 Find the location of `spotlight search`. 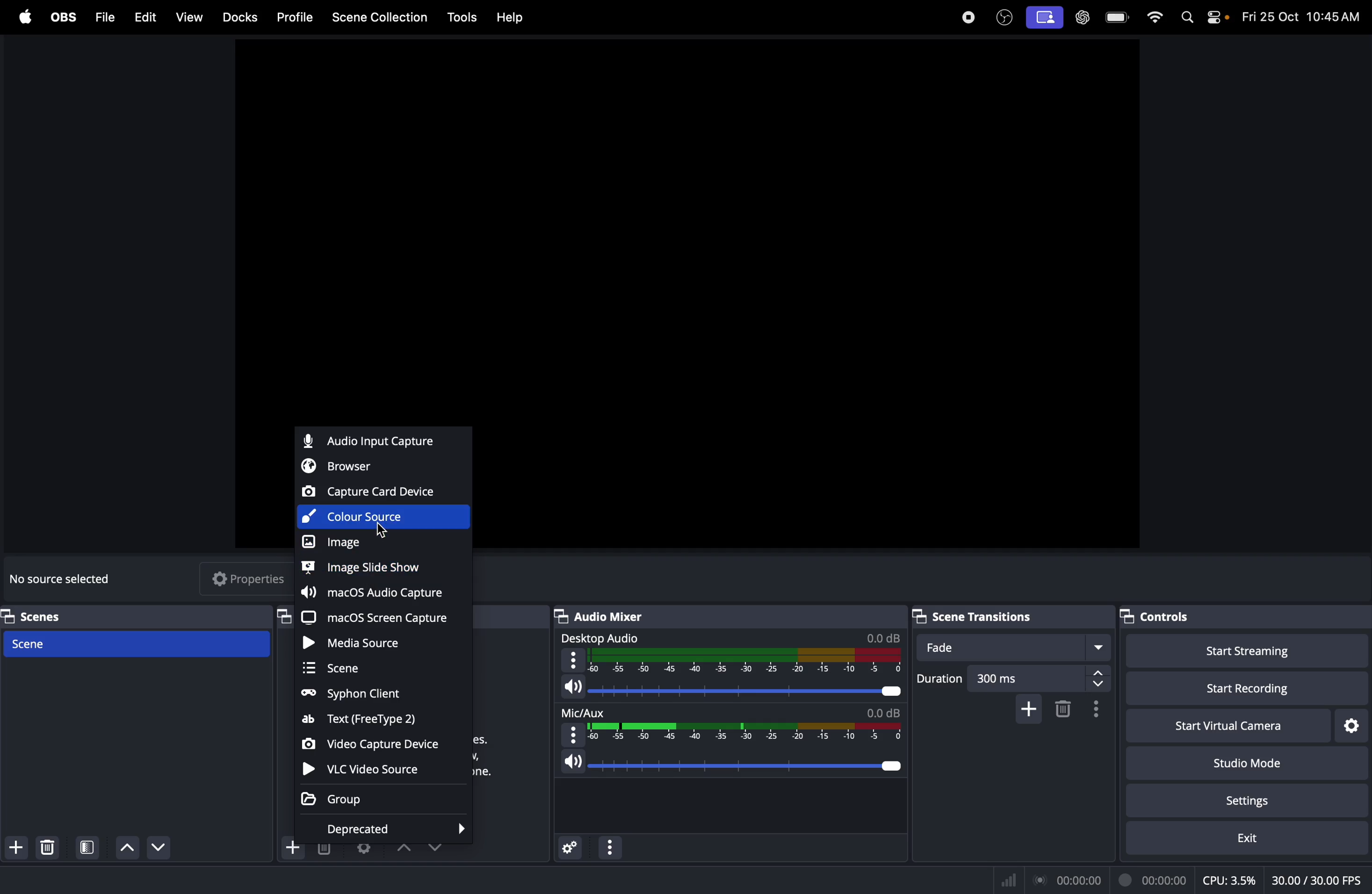

spotlight search is located at coordinates (1186, 16).